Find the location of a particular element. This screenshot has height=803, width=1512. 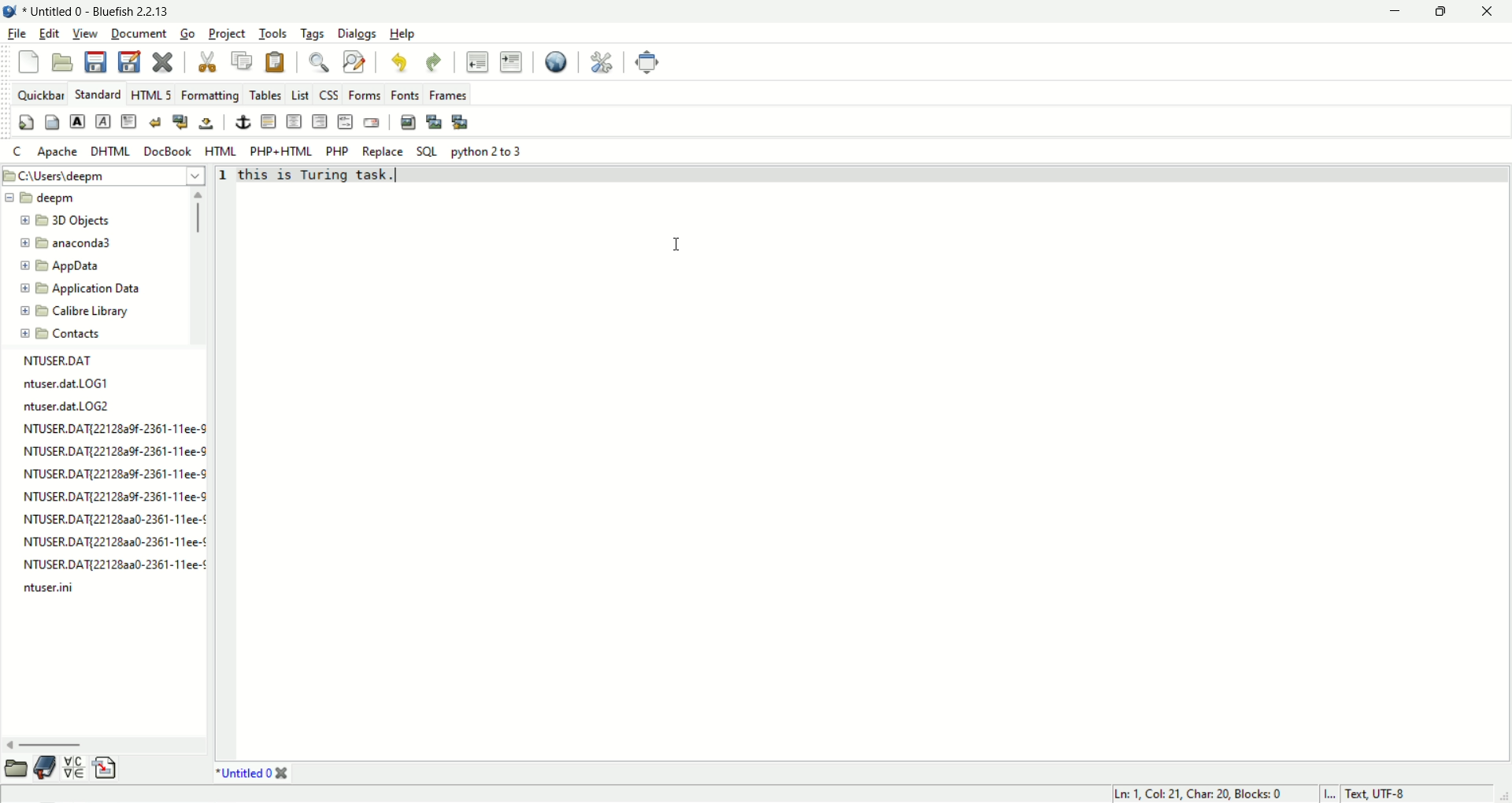

insert image is located at coordinates (409, 123).